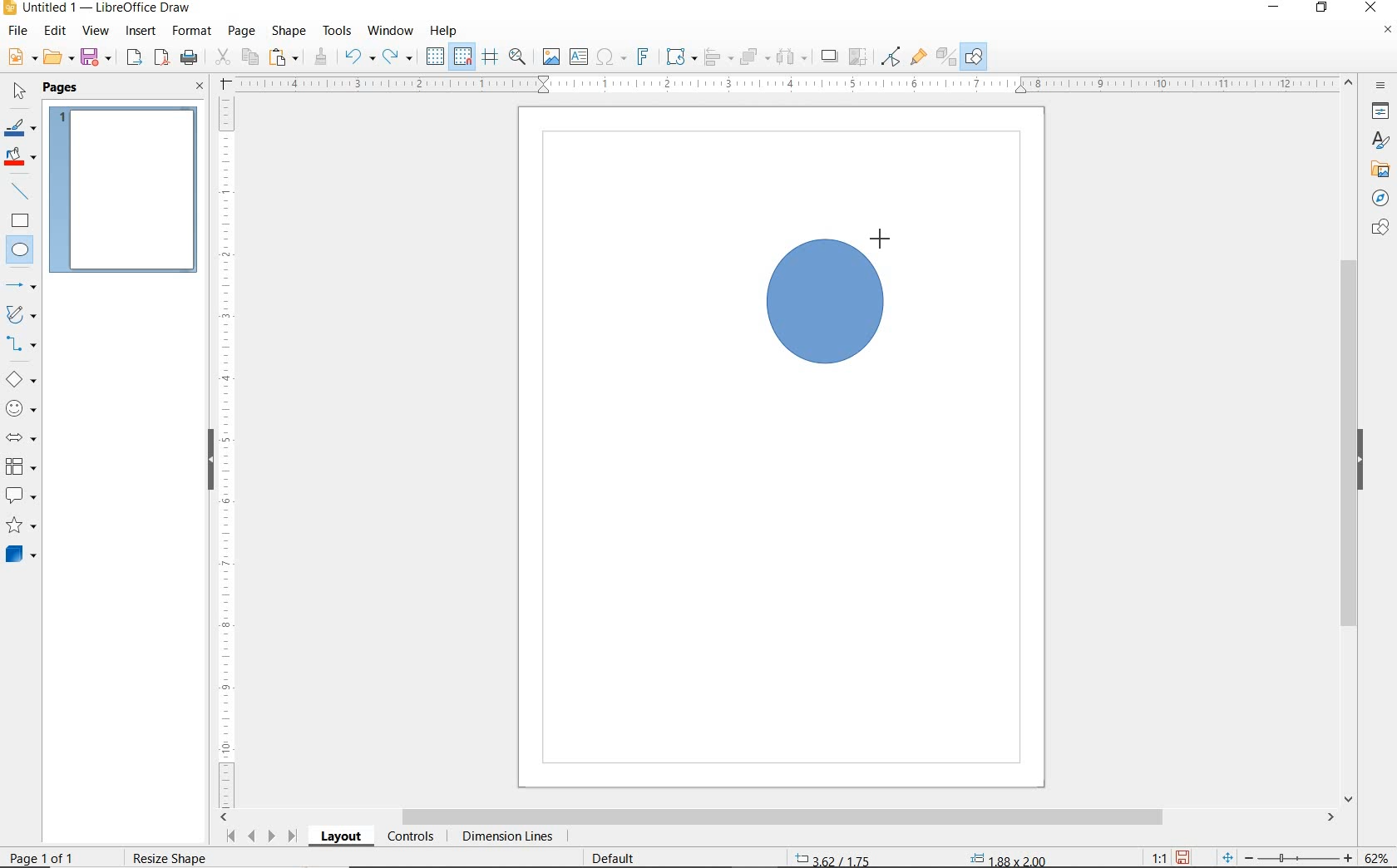  Describe the element at coordinates (54, 851) in the screenshot. I see `PAGE 1 O 1` at that location.